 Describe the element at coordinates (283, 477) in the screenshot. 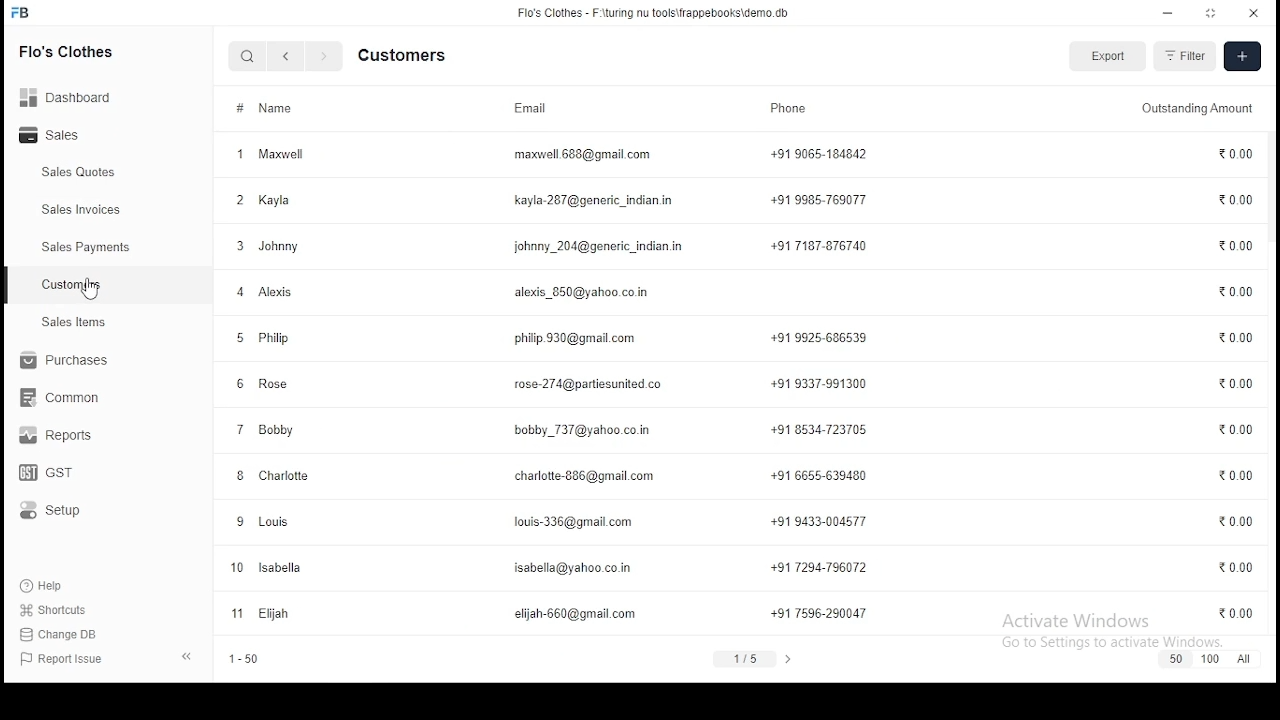

I see `Charlotte` at that location.